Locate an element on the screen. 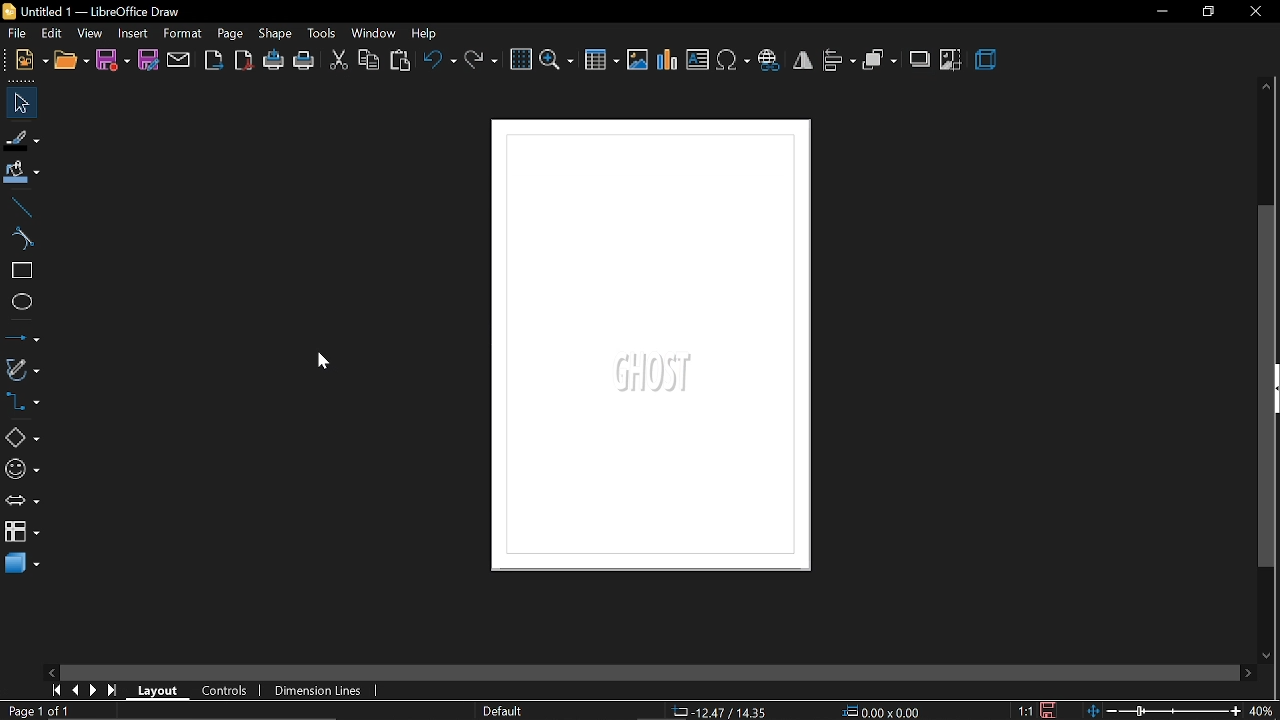  select is located at coordinates (18, 101).